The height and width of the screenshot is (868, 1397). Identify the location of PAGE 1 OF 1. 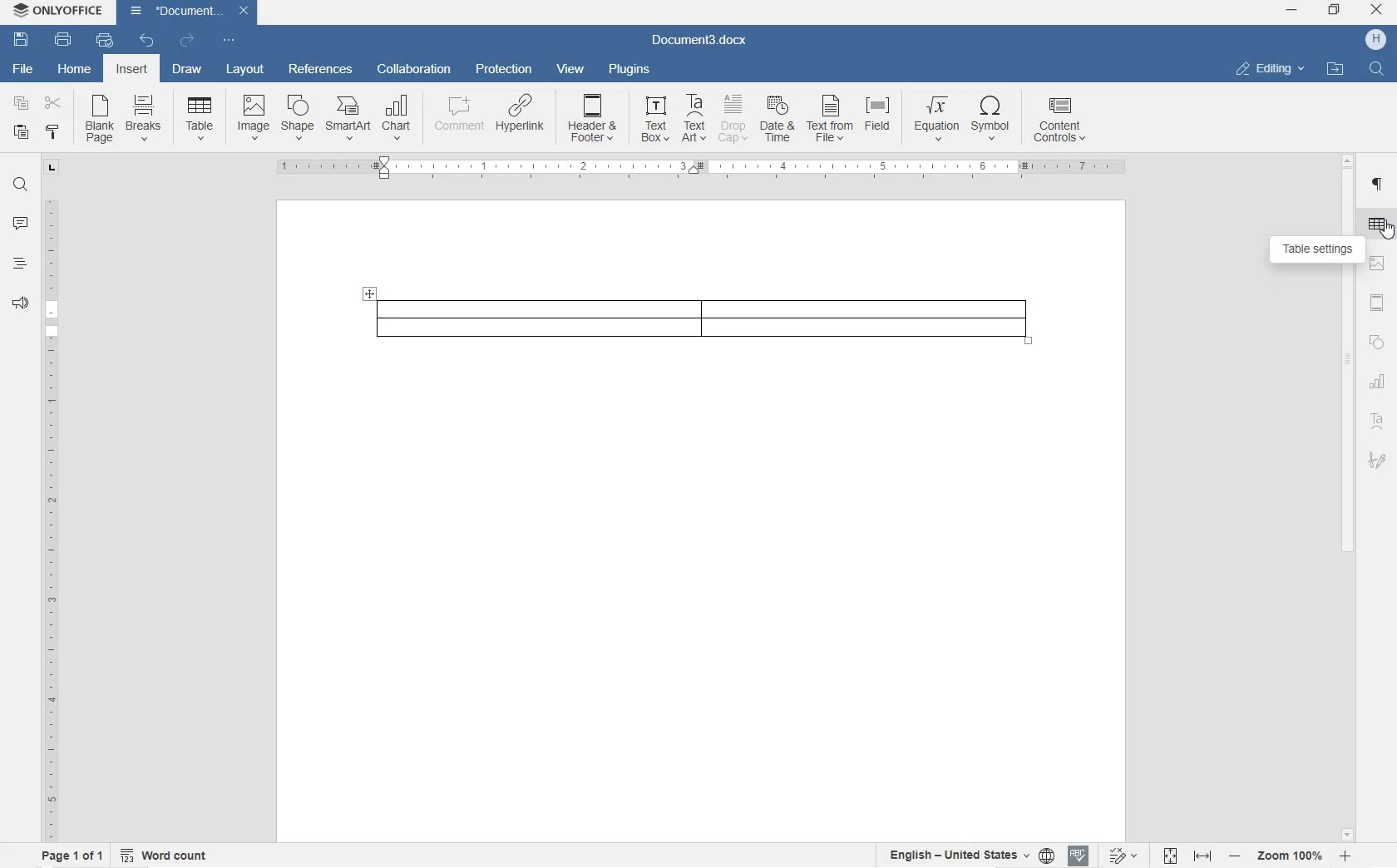
(68, 856).